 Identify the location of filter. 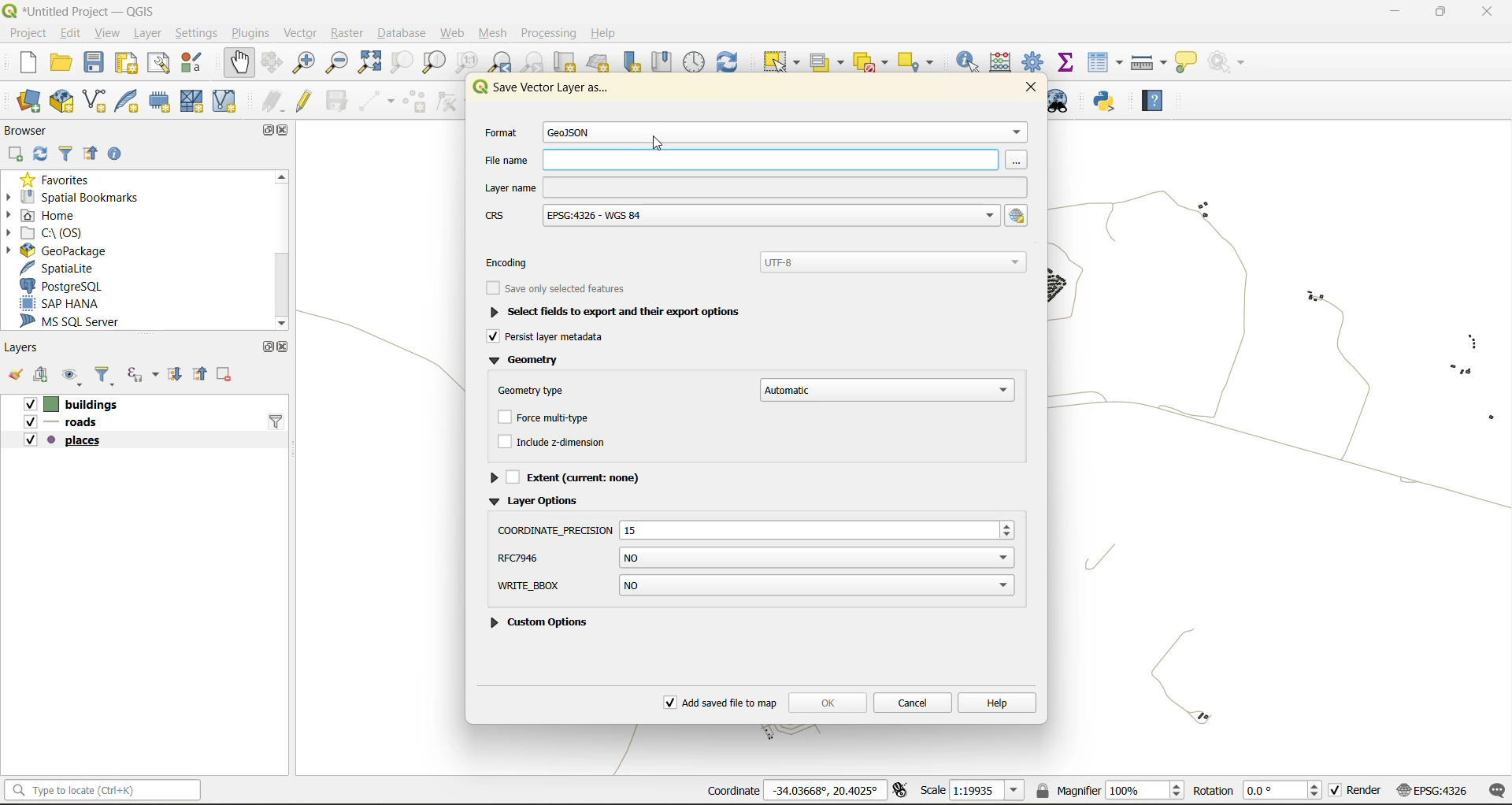
(69, 153).